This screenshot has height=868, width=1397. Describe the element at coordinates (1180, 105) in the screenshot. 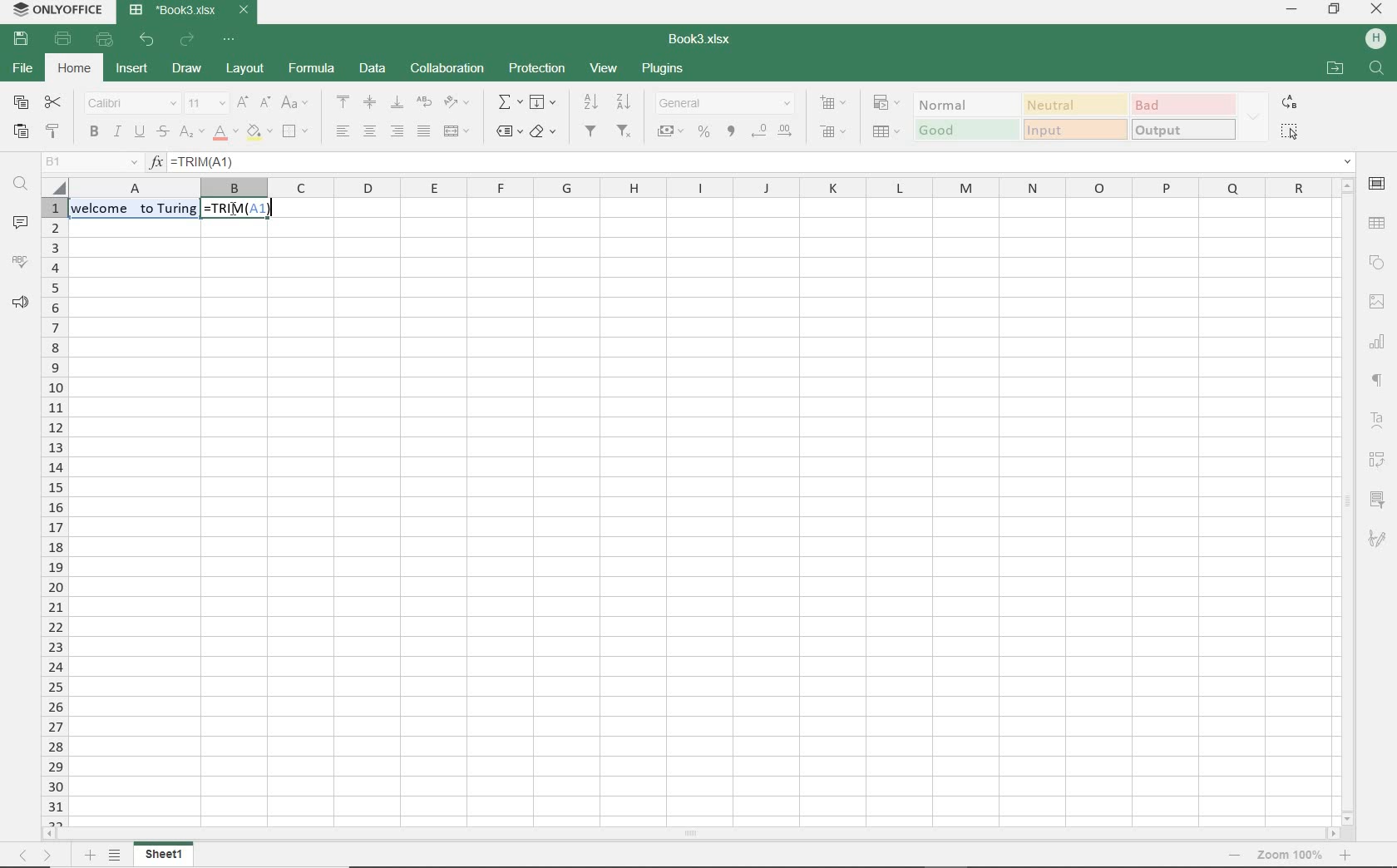

I see `BAD` at that location.